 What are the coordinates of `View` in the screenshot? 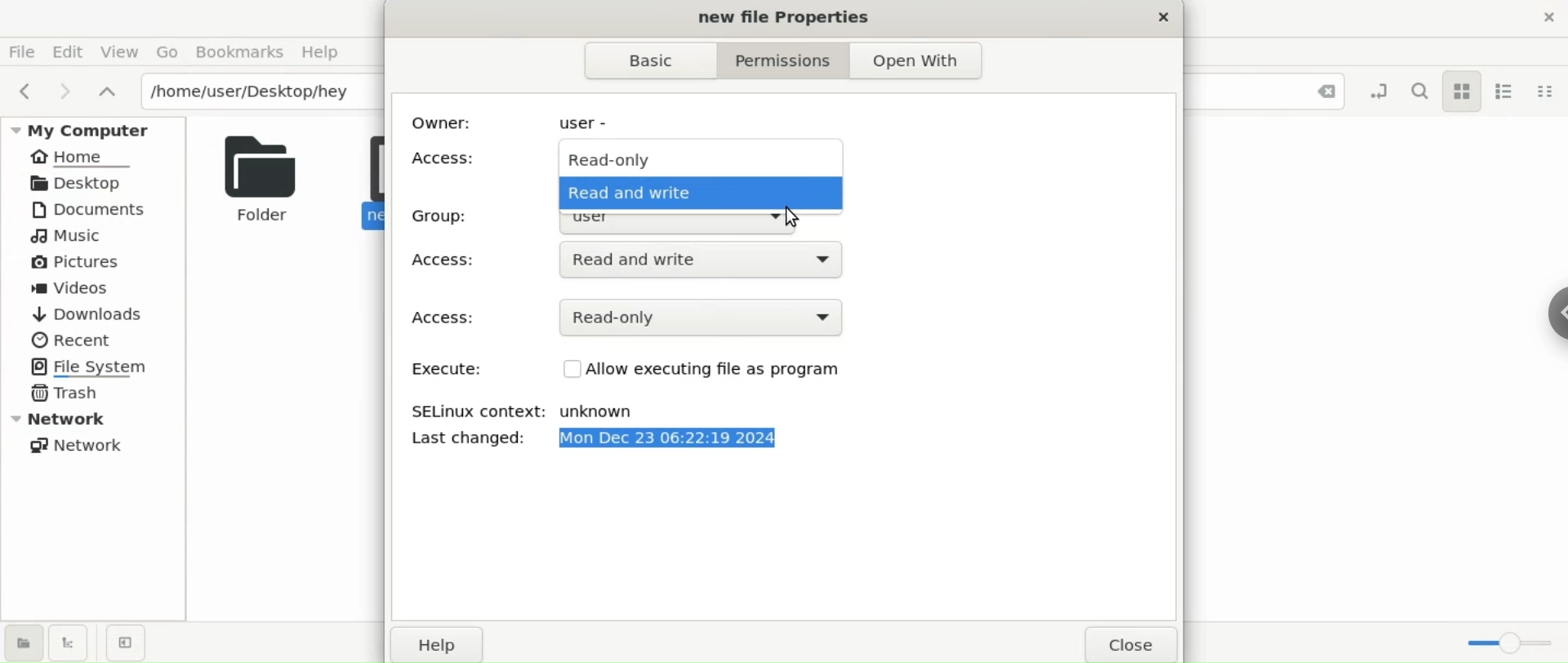 It's located at (122, 54).